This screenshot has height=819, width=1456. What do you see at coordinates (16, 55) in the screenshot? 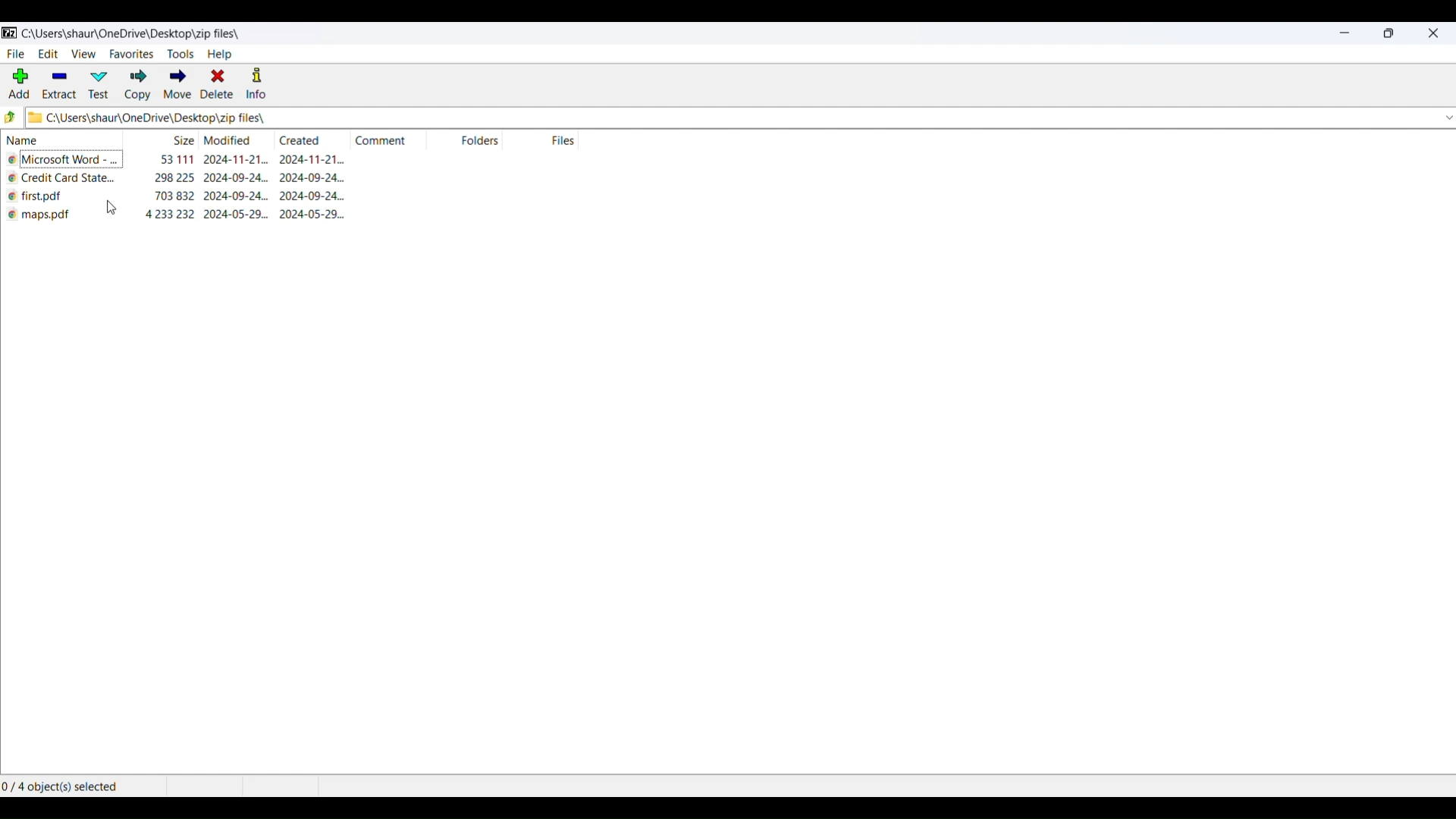
I see `file` at bounding box center [16, 55].